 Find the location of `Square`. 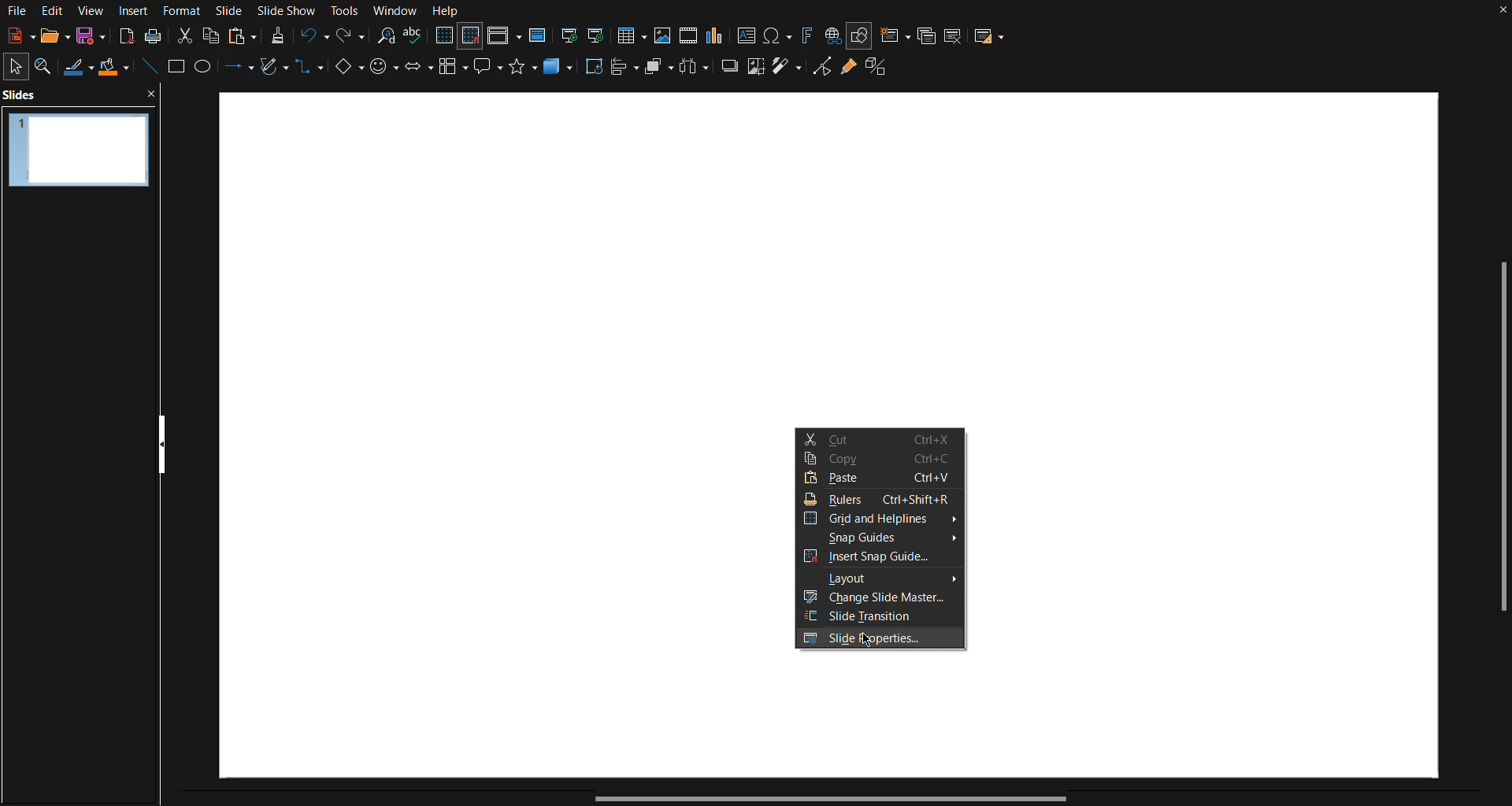

Square is located at coordinates (178, 69).